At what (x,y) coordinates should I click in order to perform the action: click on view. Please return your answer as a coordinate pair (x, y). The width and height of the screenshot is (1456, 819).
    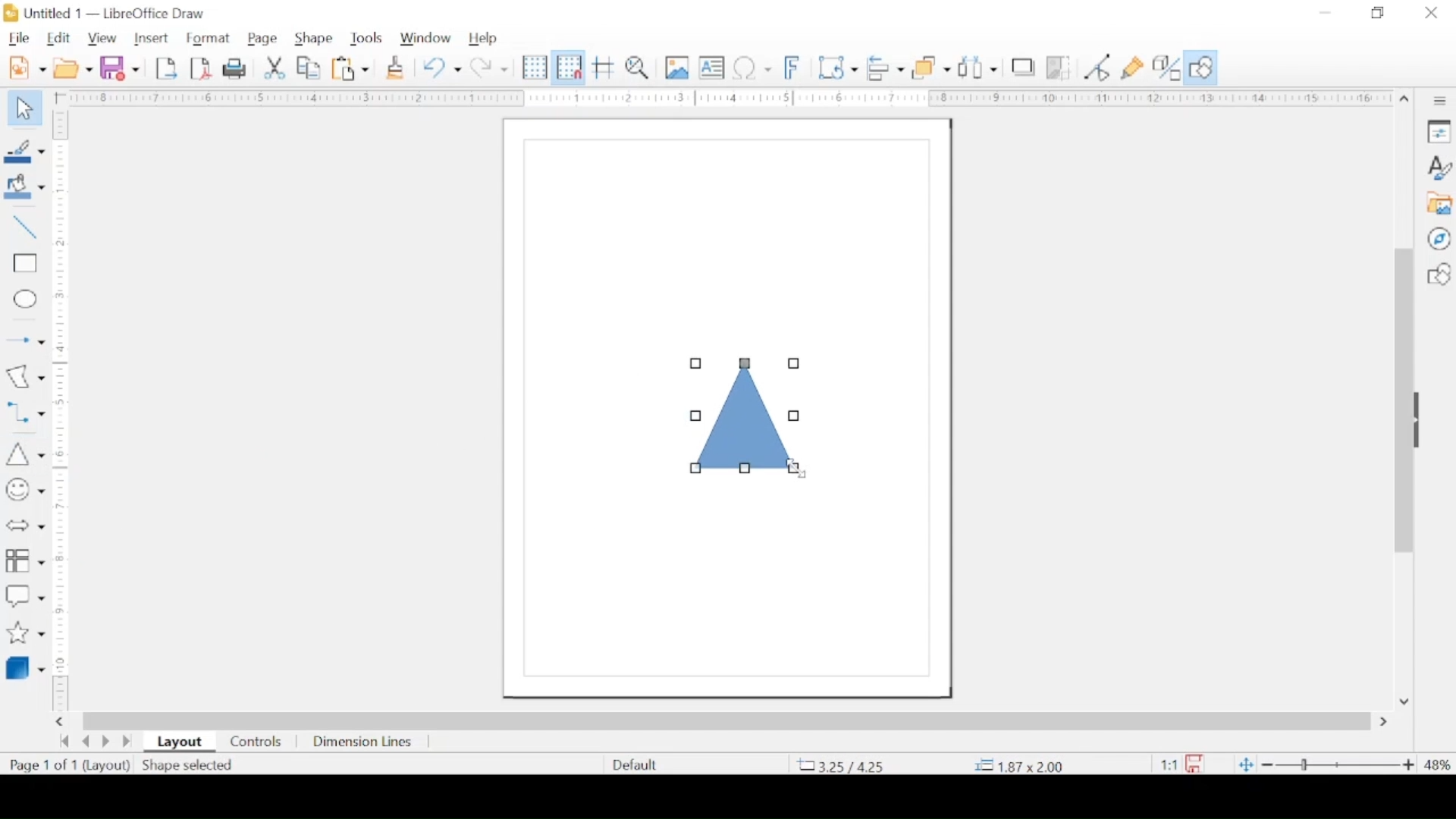
    Looking at the image, I should click on (104, 37).